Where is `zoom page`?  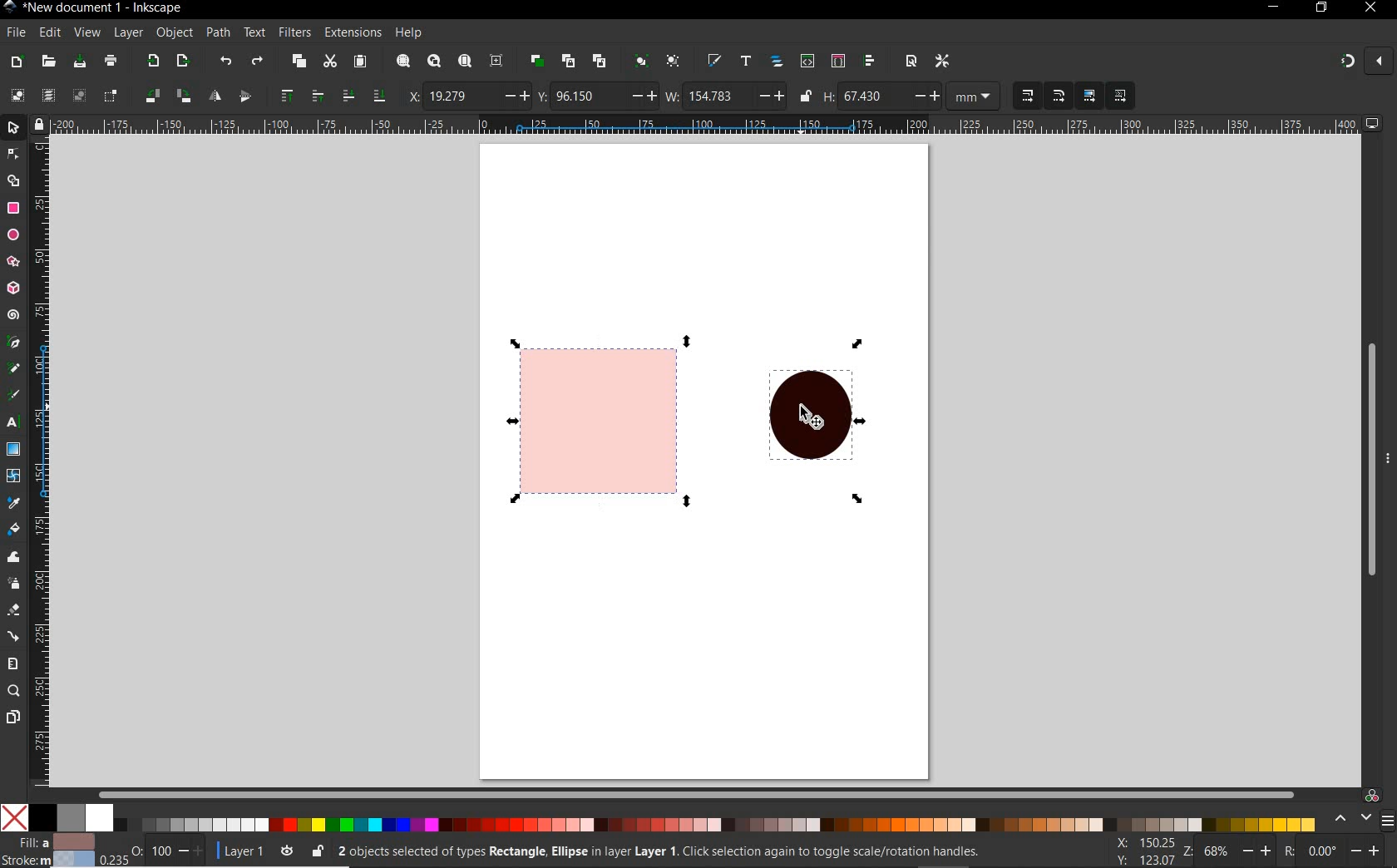
zoom page is located at coordinates (465, 60).